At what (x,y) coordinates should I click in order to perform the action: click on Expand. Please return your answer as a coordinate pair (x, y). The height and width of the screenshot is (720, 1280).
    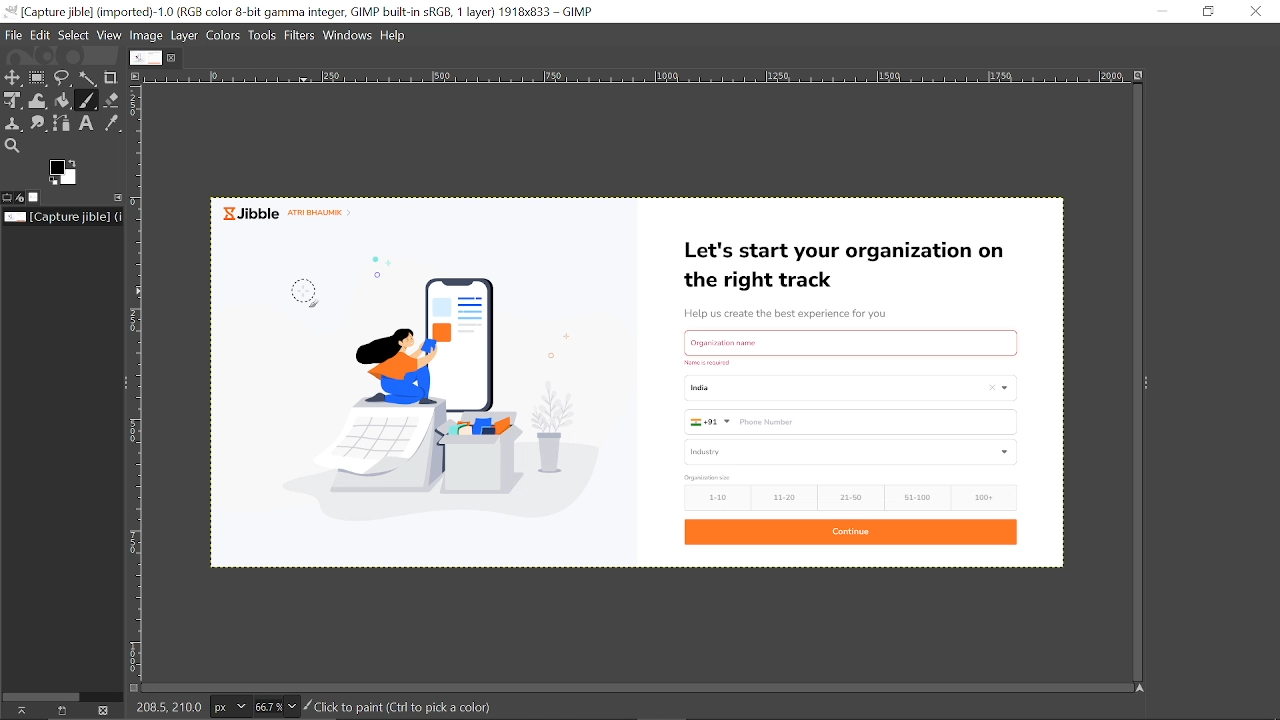
    Looking at the image, I should click on (1146, 383).